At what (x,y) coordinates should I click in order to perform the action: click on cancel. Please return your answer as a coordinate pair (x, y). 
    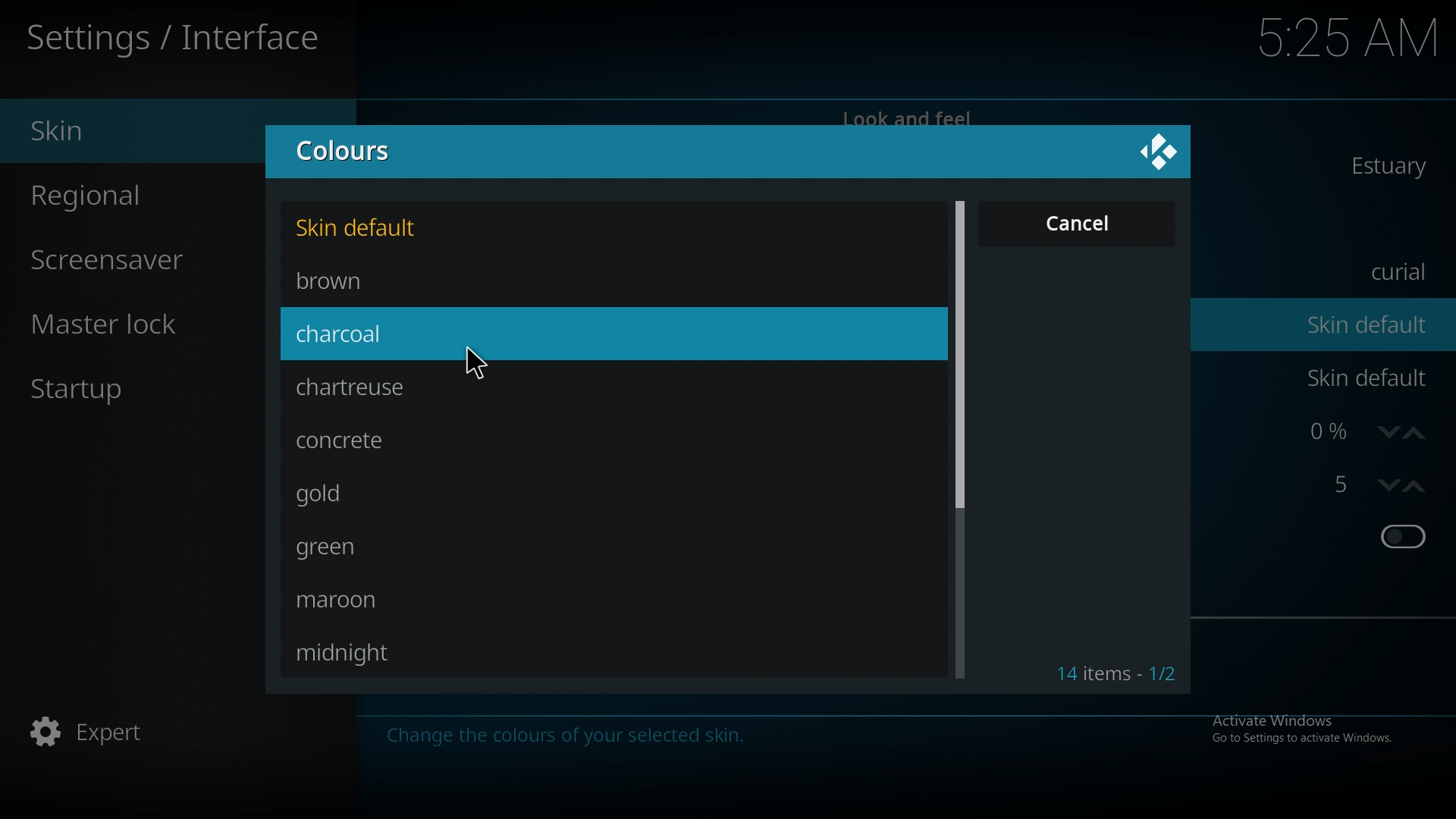
    Looking at the image, I should click on (1084, 221).